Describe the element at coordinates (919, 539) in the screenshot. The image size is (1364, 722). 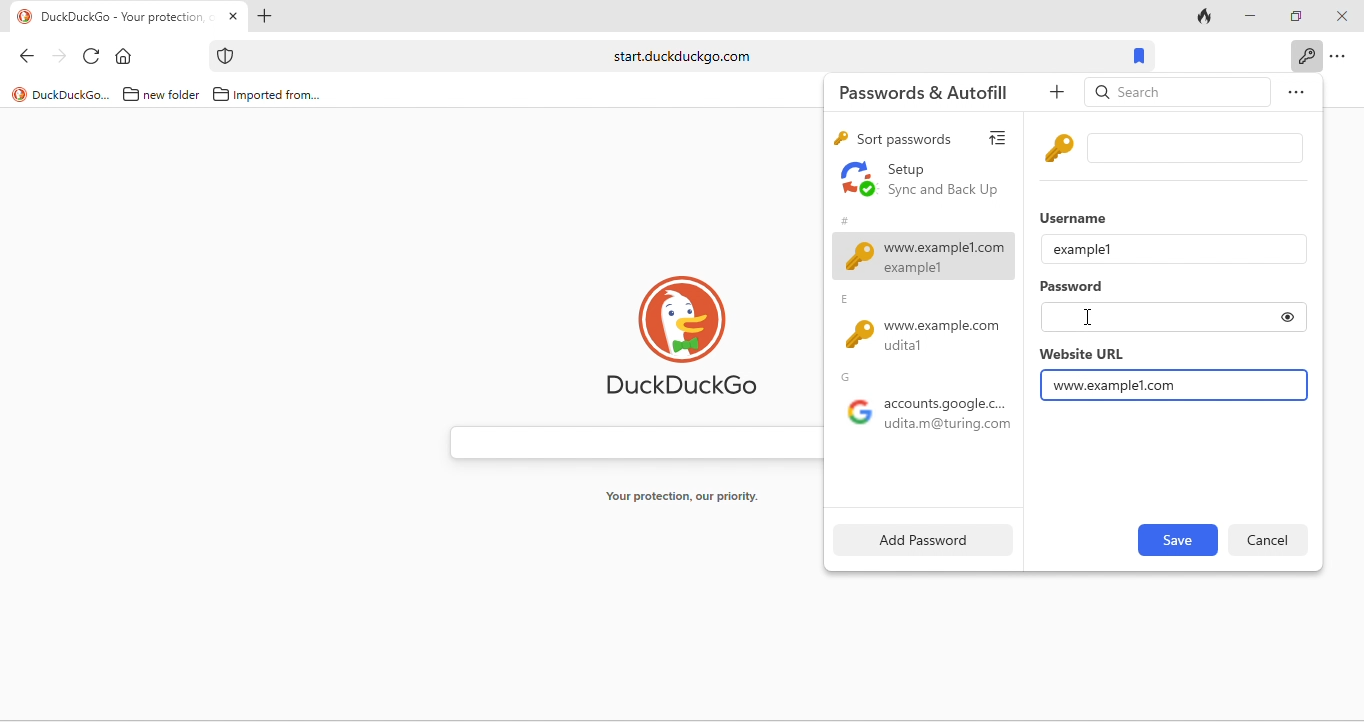
I see `add password` at that location.